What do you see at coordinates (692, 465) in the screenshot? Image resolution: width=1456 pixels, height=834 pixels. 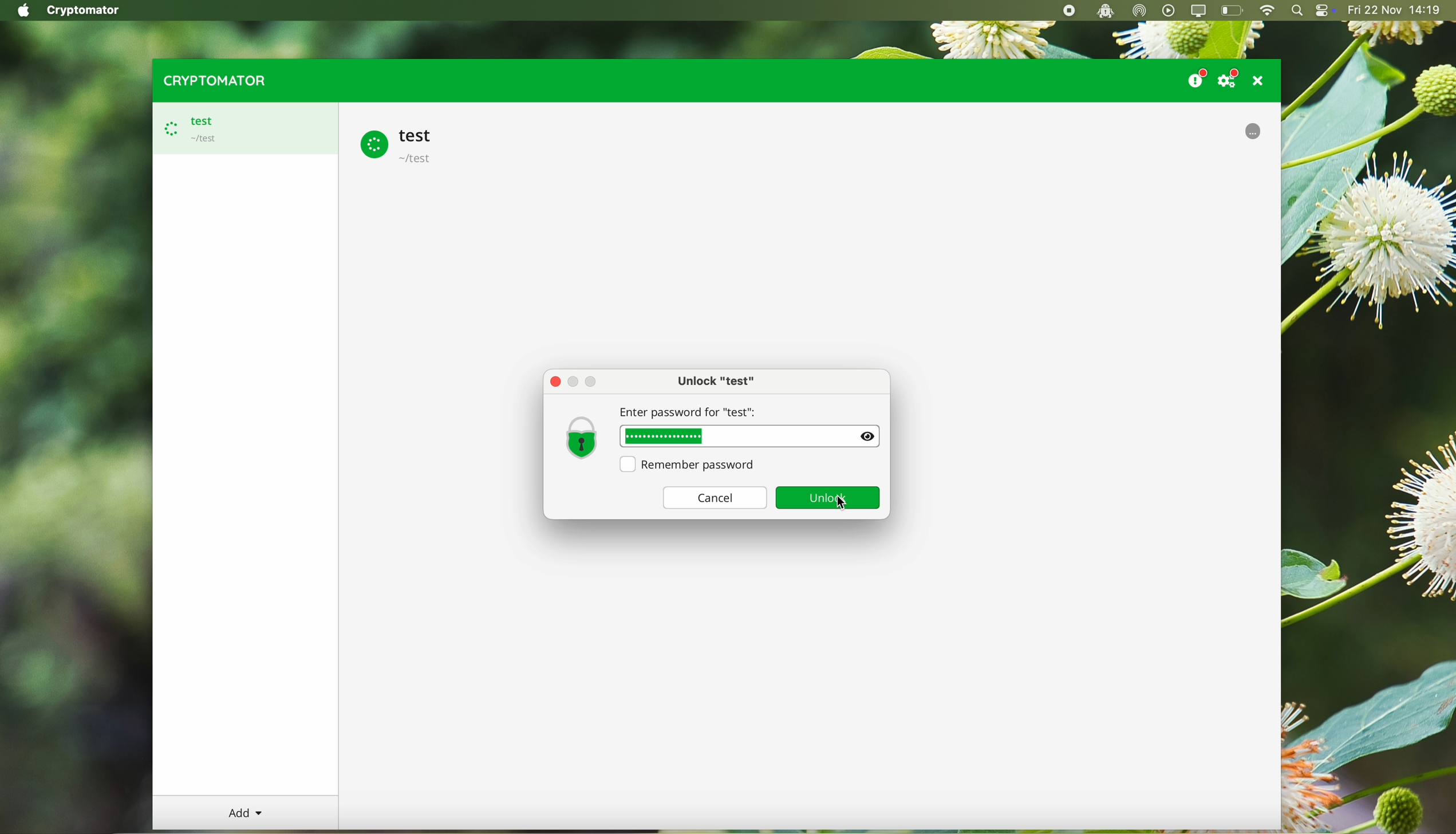 I see `remember password option` at bounding box center [692, 465].